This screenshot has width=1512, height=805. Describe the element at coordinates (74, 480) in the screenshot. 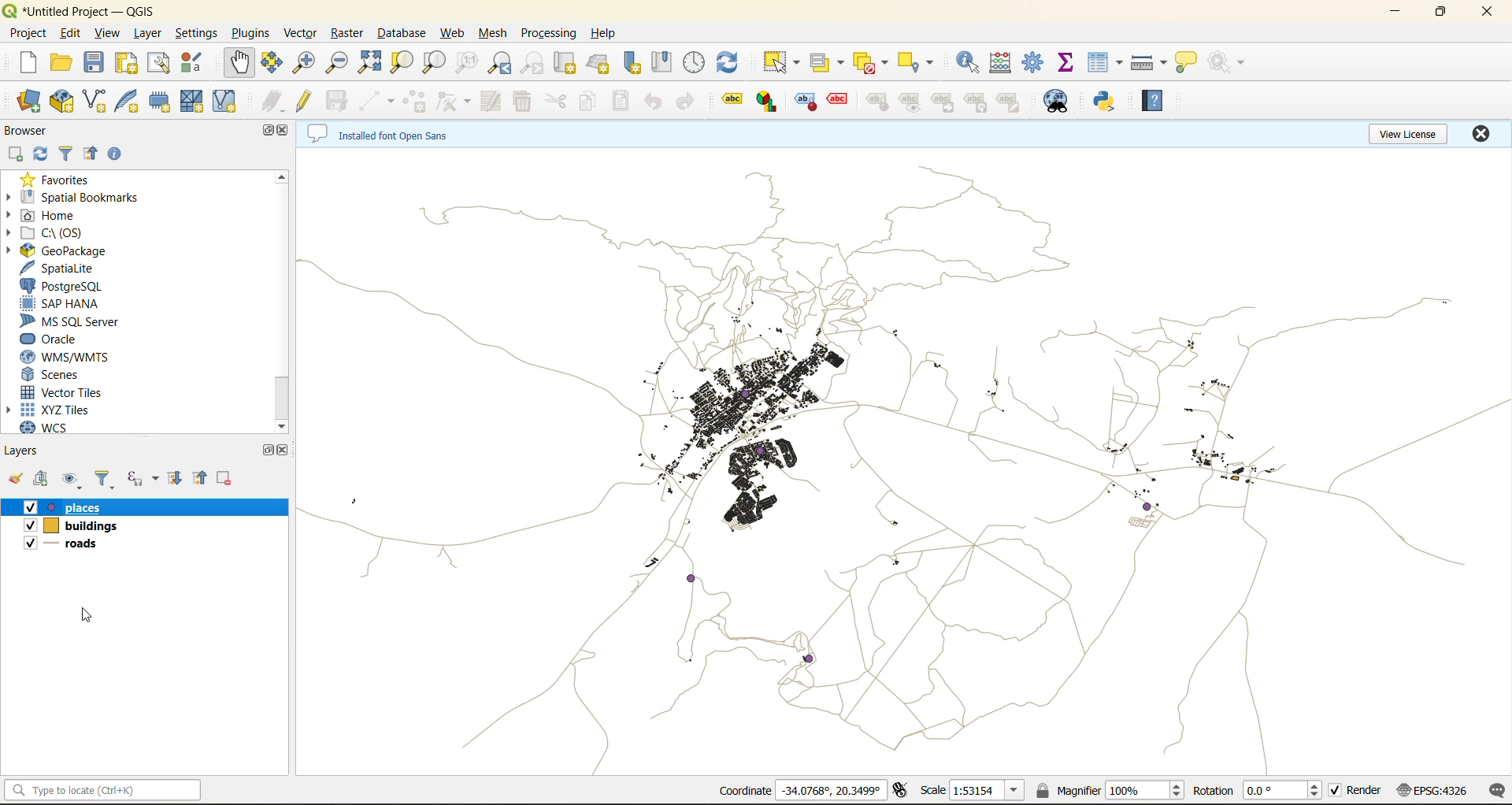

I see `manage map` at that location.